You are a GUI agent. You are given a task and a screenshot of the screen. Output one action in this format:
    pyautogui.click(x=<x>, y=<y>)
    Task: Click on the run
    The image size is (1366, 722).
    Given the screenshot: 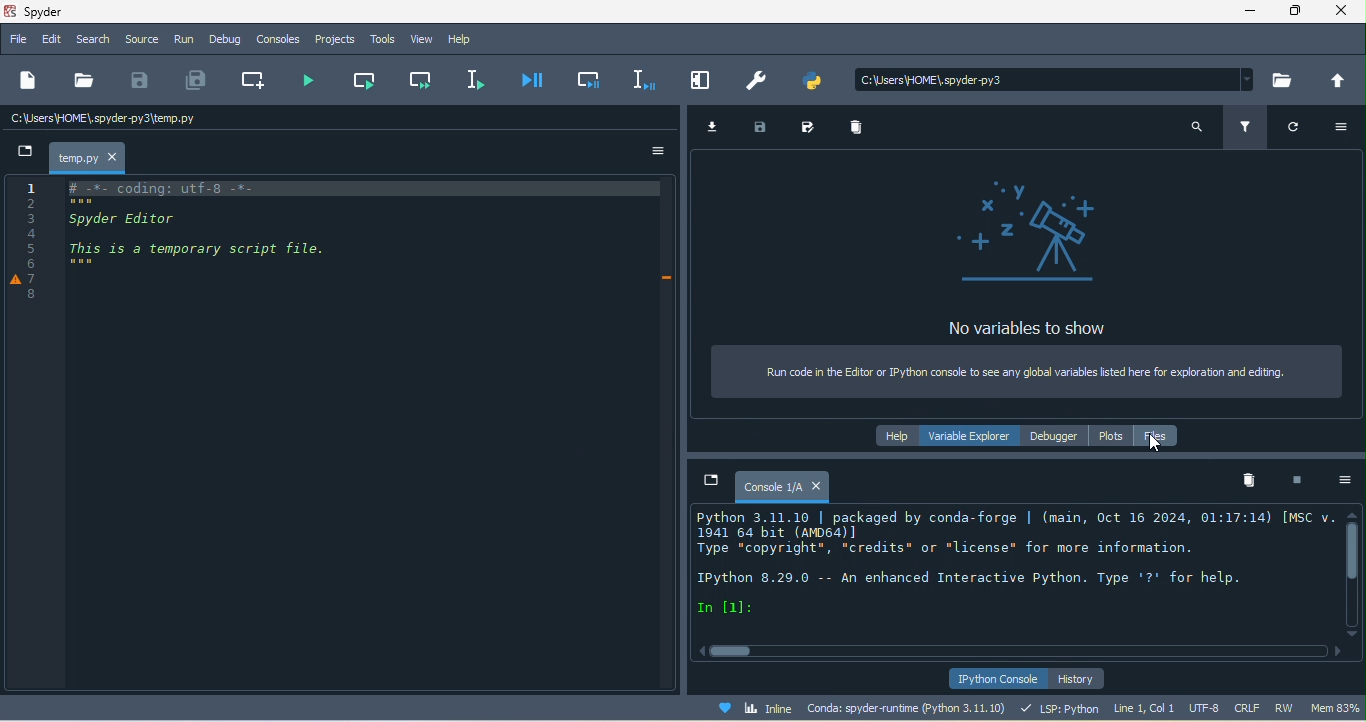 What is the action you would take?
    pyautogui.click(x=181, y=38)
    